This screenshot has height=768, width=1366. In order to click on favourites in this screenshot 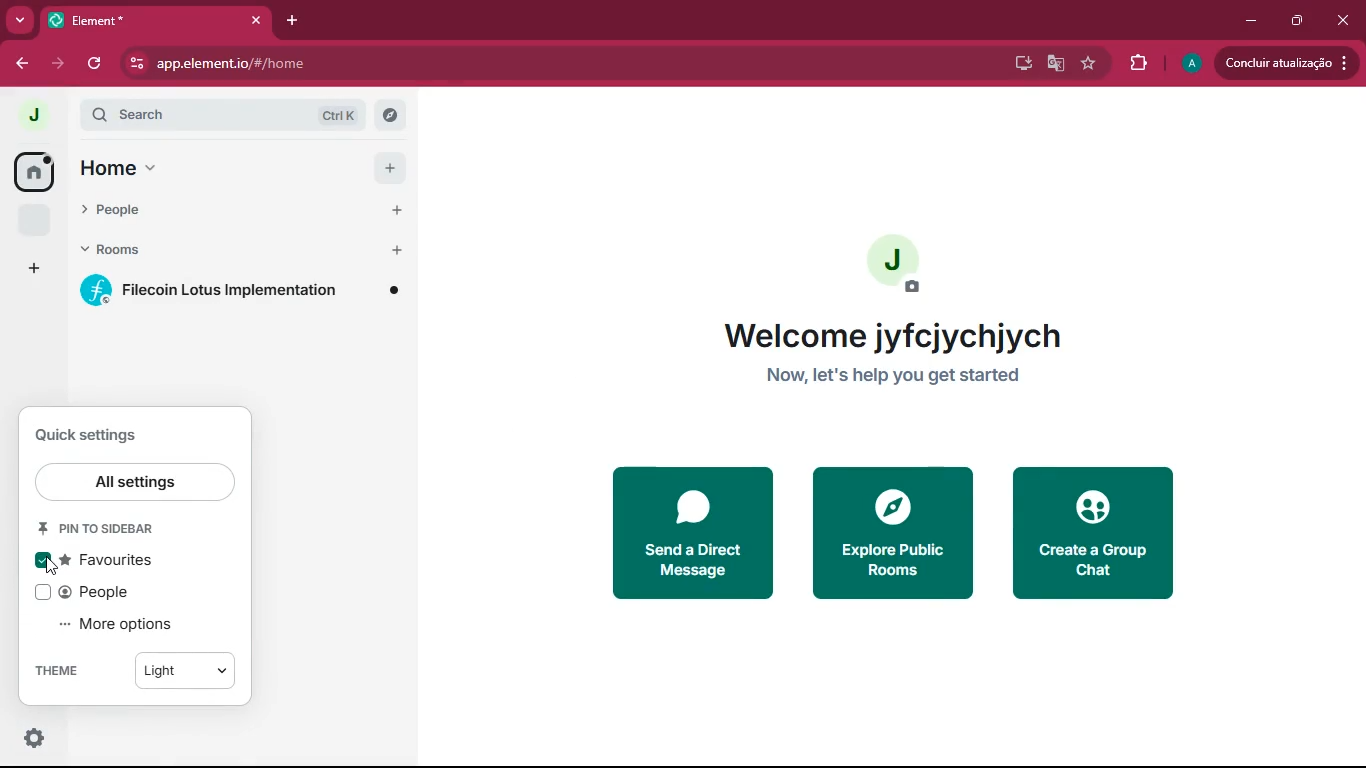, I will do `click(33, 219)`.